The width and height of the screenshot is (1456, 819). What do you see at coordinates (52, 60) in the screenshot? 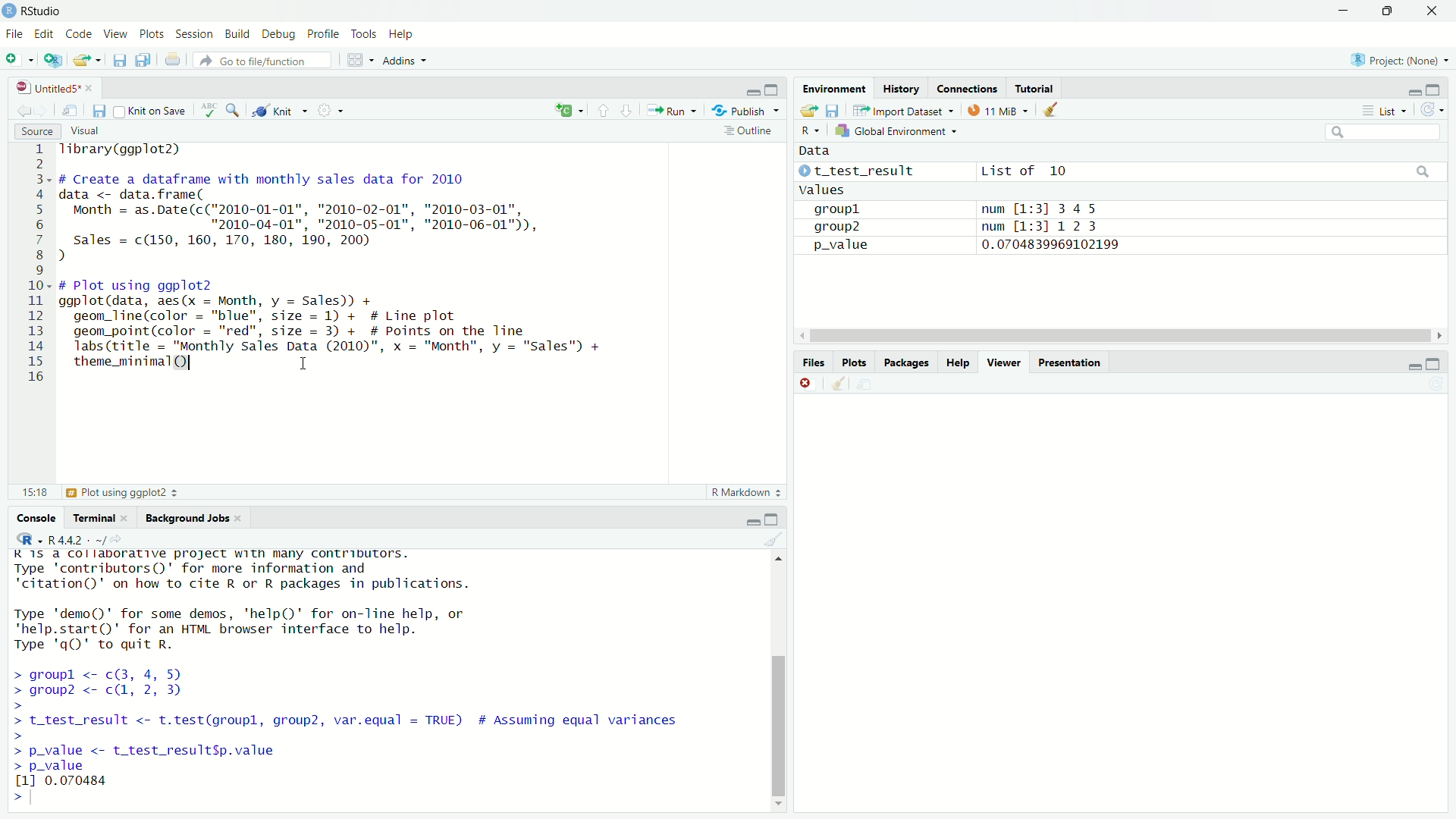
I see `new project` at bounding box center [52, 60].